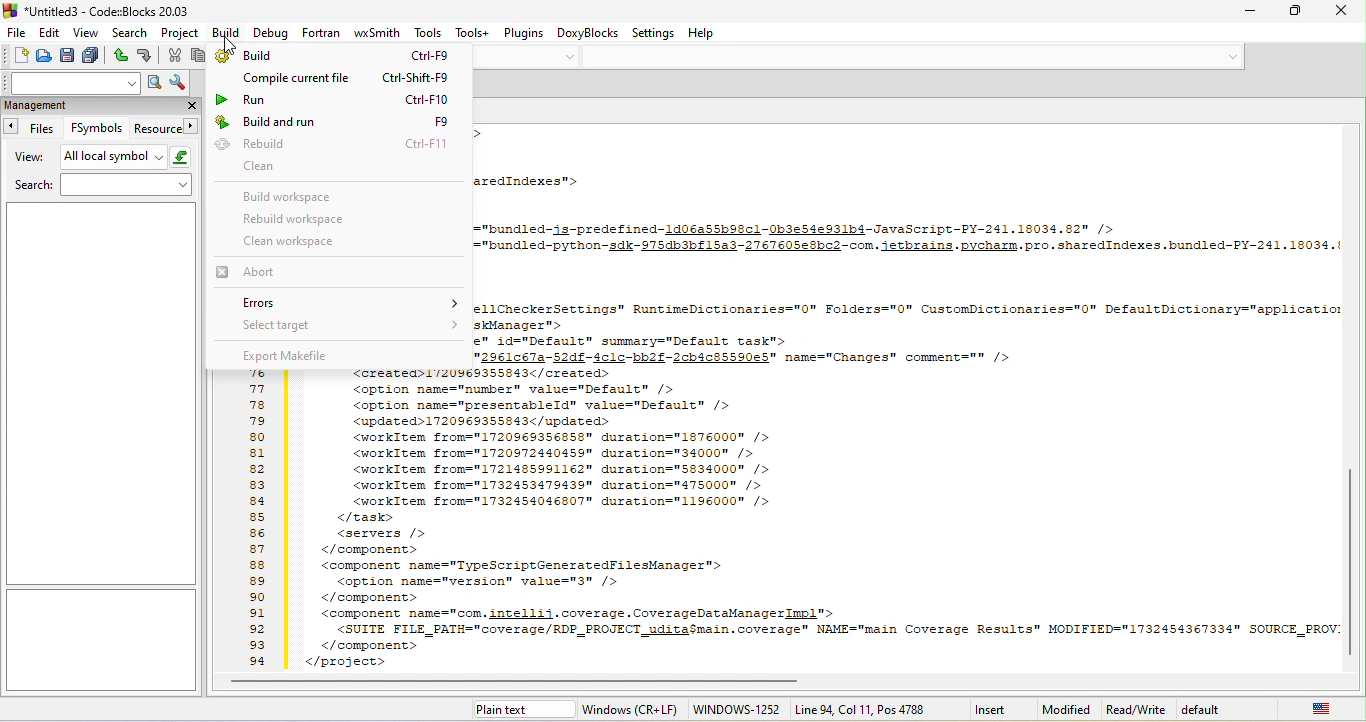  I want to click on save, so click(69, 55).